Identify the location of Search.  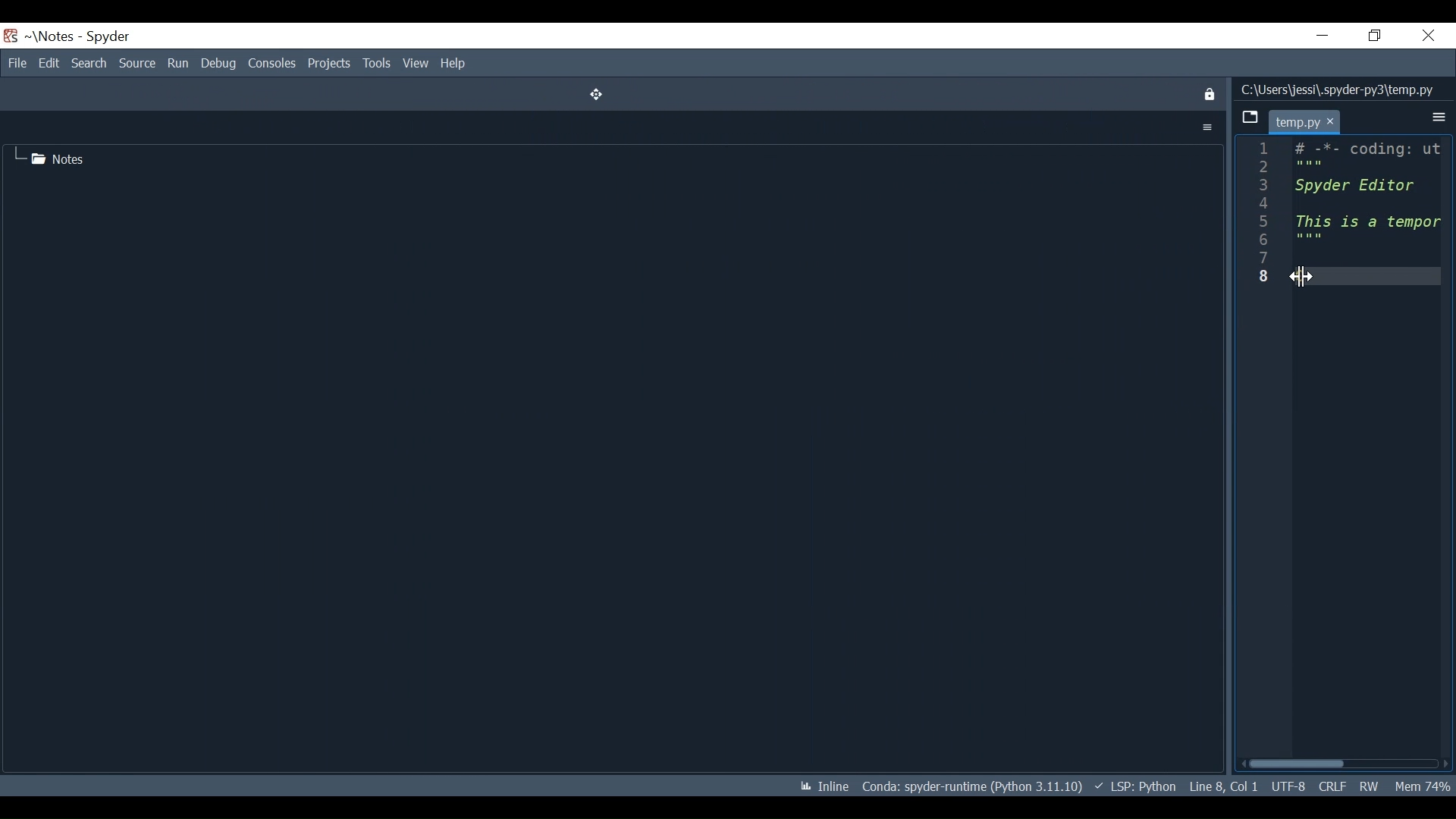
(88, 63).